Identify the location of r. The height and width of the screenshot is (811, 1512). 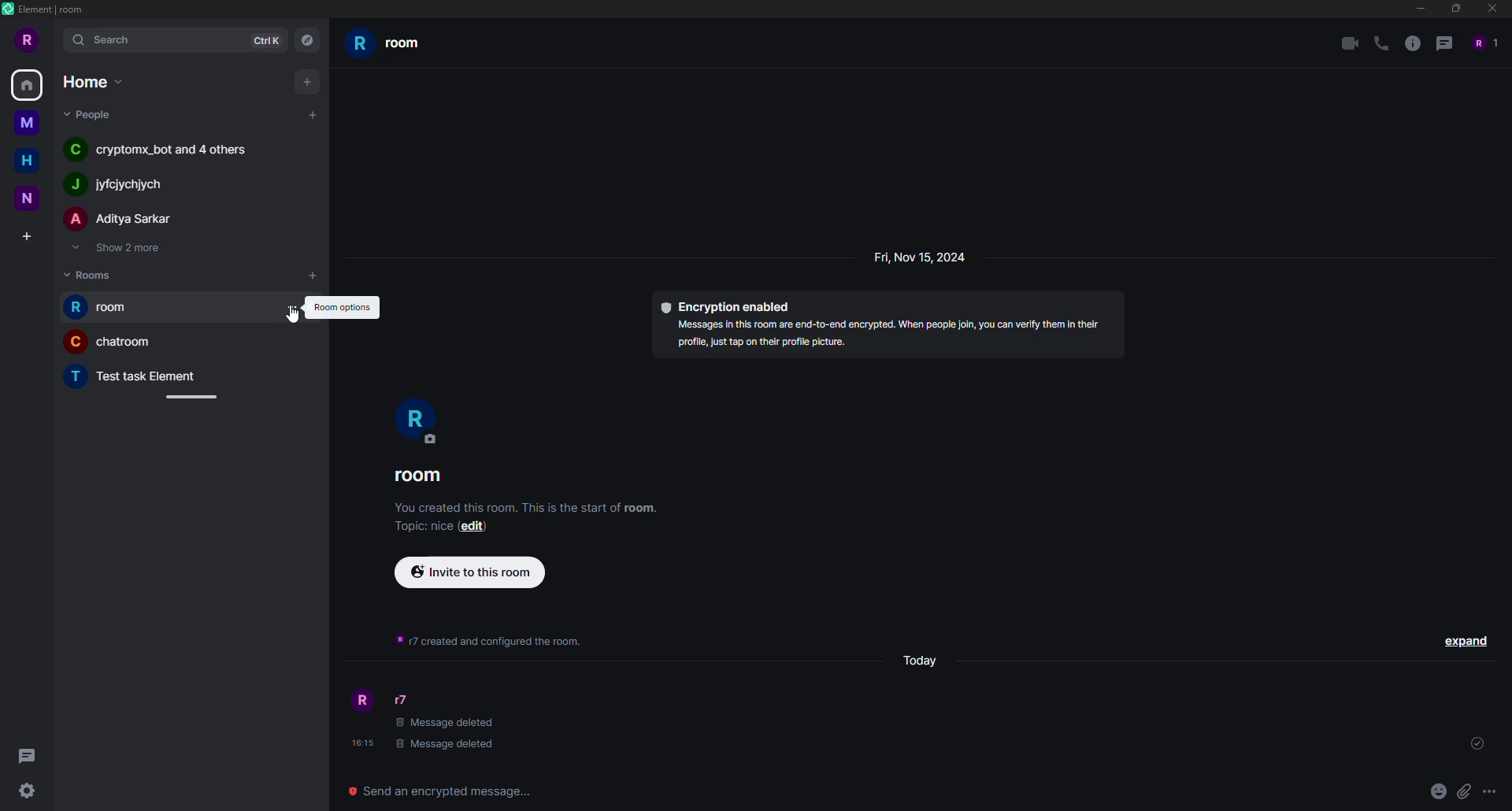
(25, 42).